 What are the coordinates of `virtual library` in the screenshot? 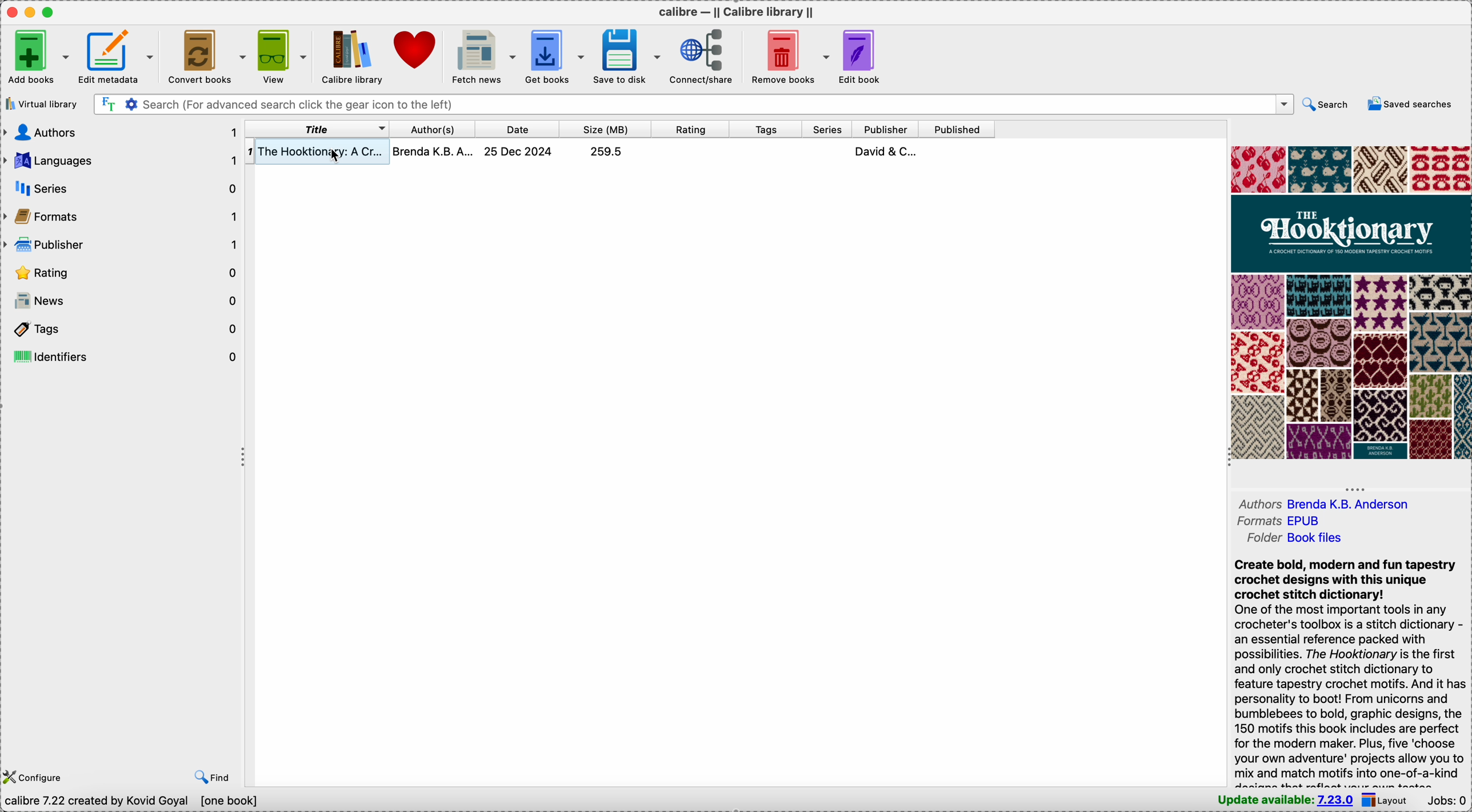 It's located at (41, 105).